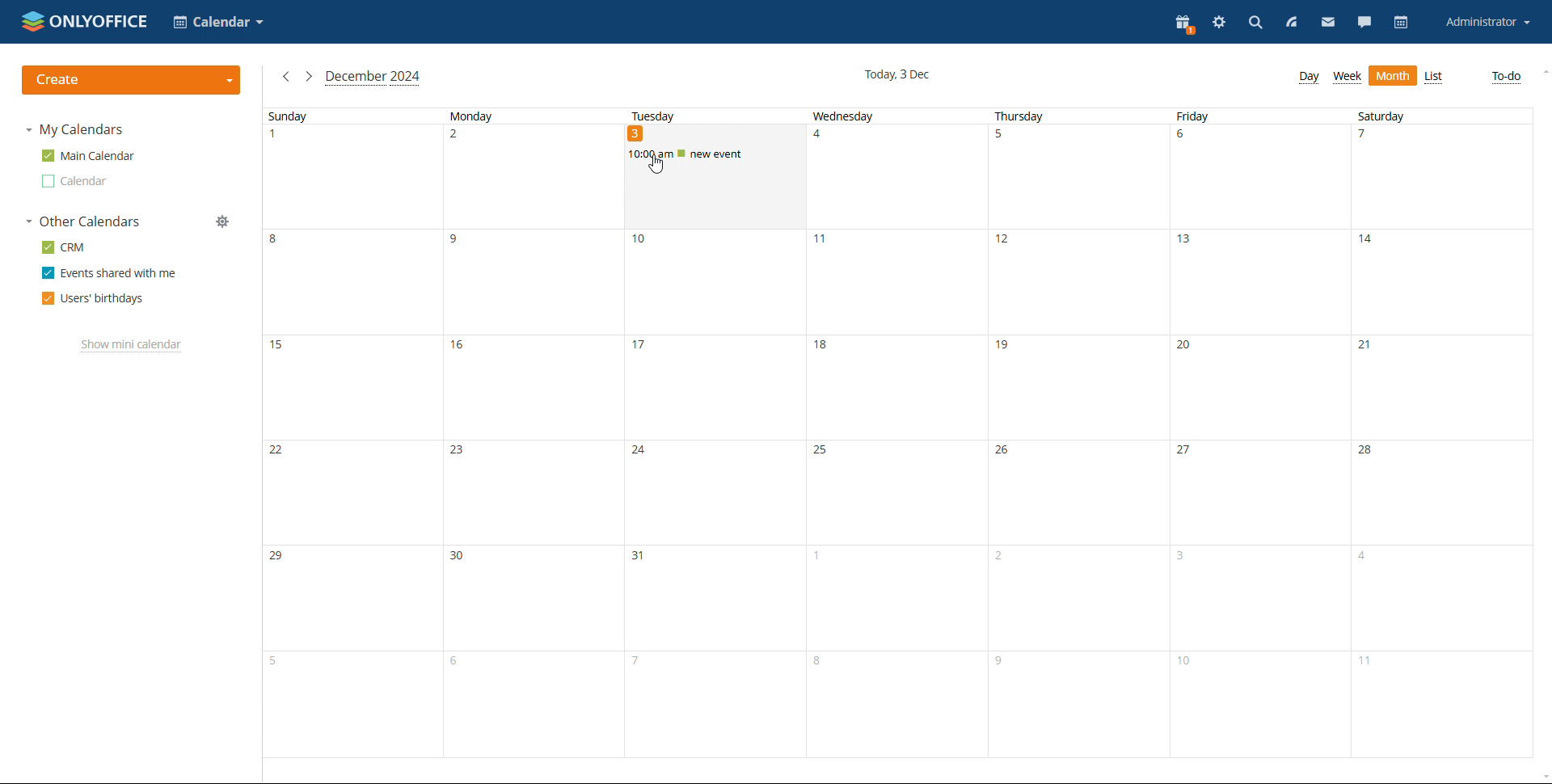  I want to click on users' birthdays, so click(93, 299).